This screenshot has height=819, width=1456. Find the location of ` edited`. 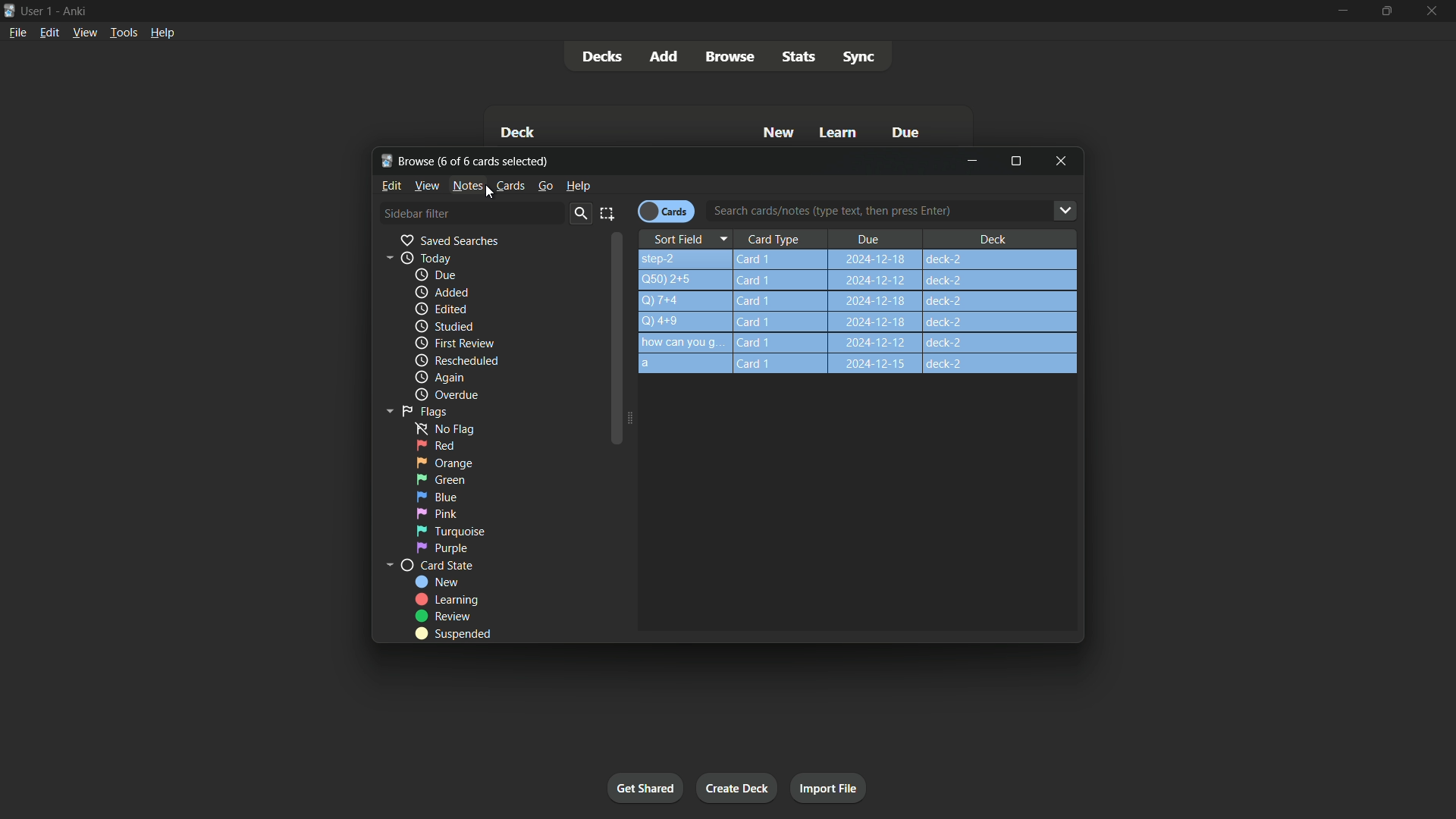

 edited is located at coordinates (440, 308).